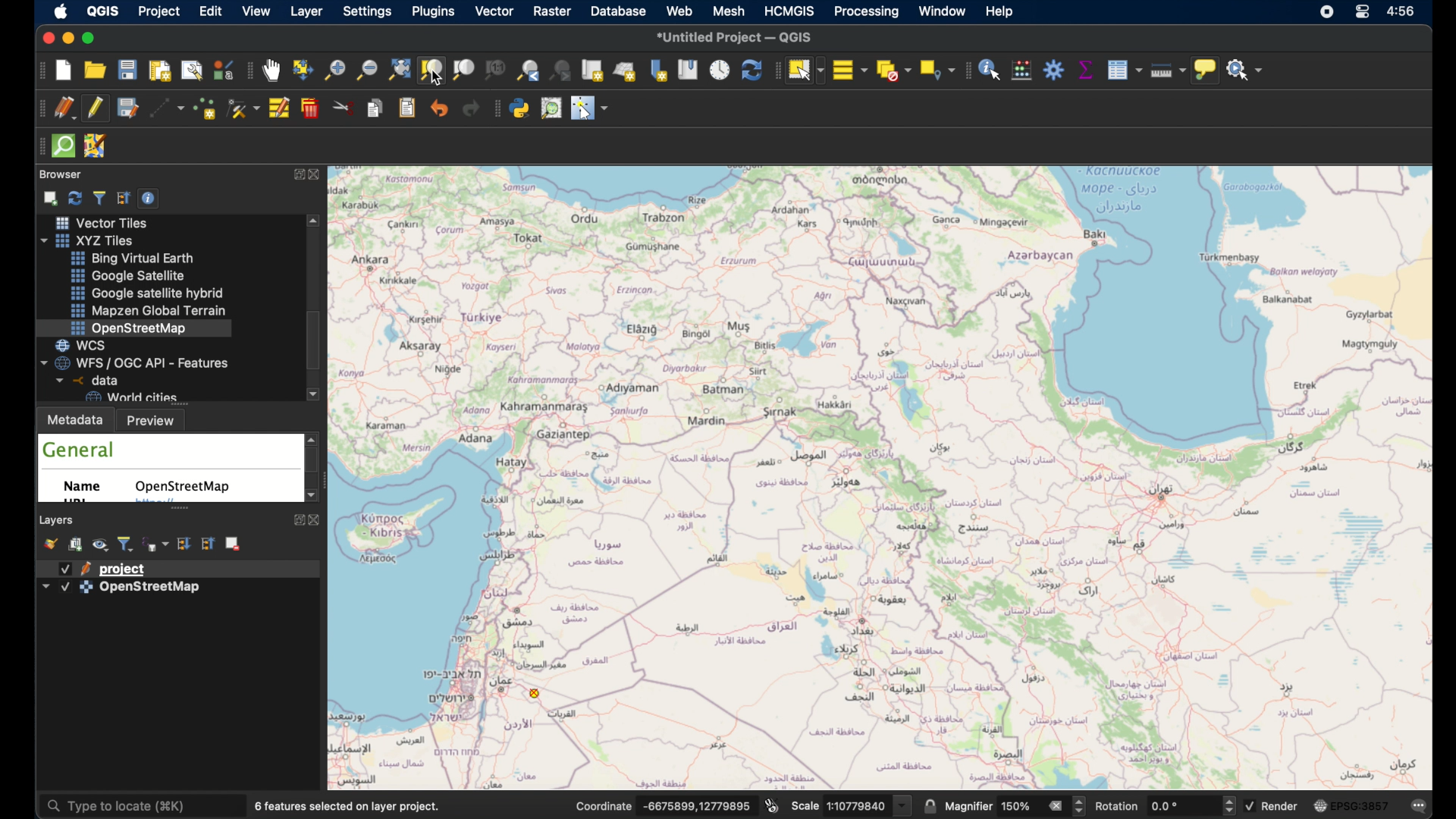  Describe the element at coordinates (893, 71) in the screenshot. I see `deselect features from all layers` at that location.